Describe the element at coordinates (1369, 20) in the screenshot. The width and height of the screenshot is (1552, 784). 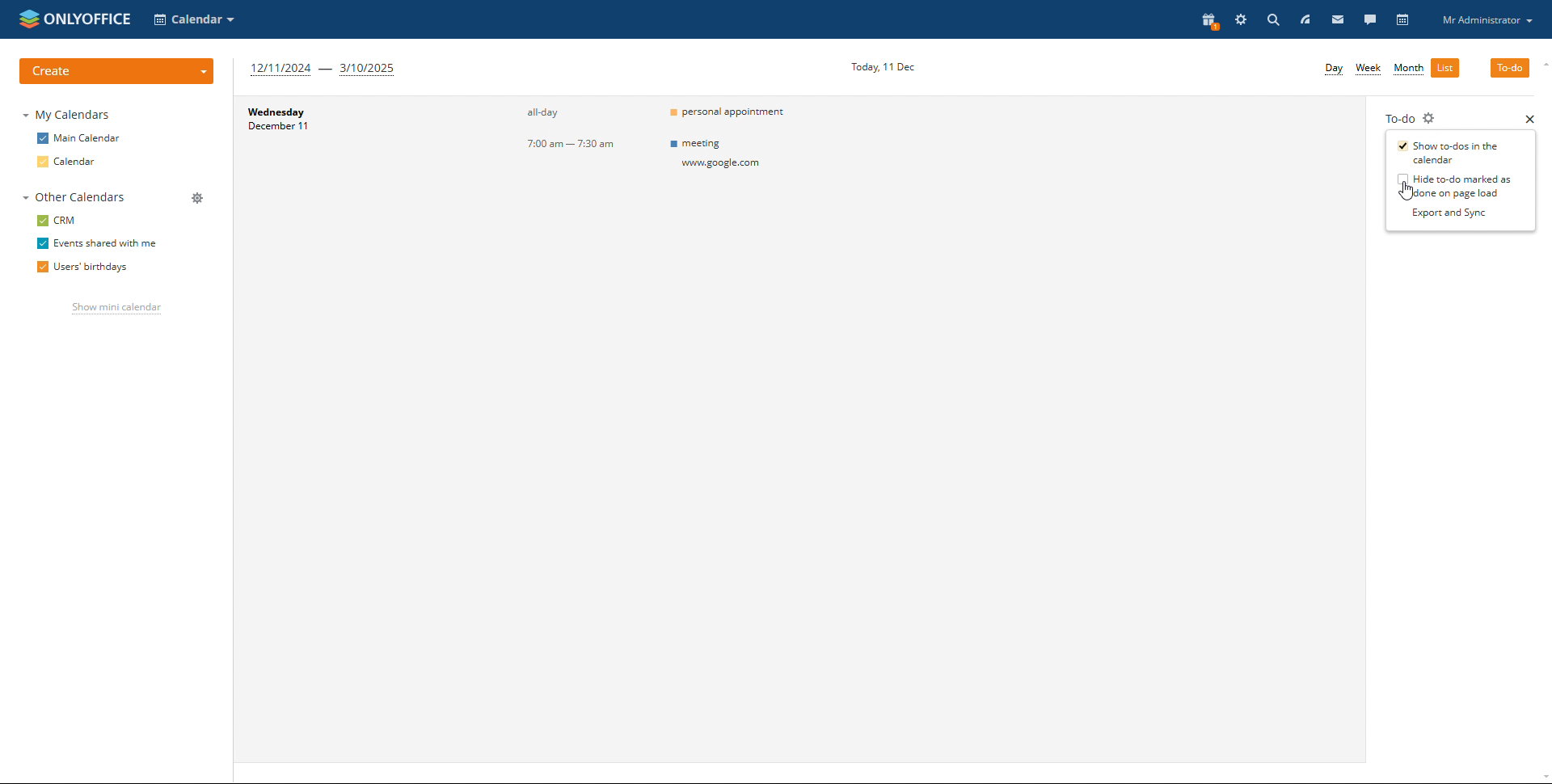
I see `talk` at that location.